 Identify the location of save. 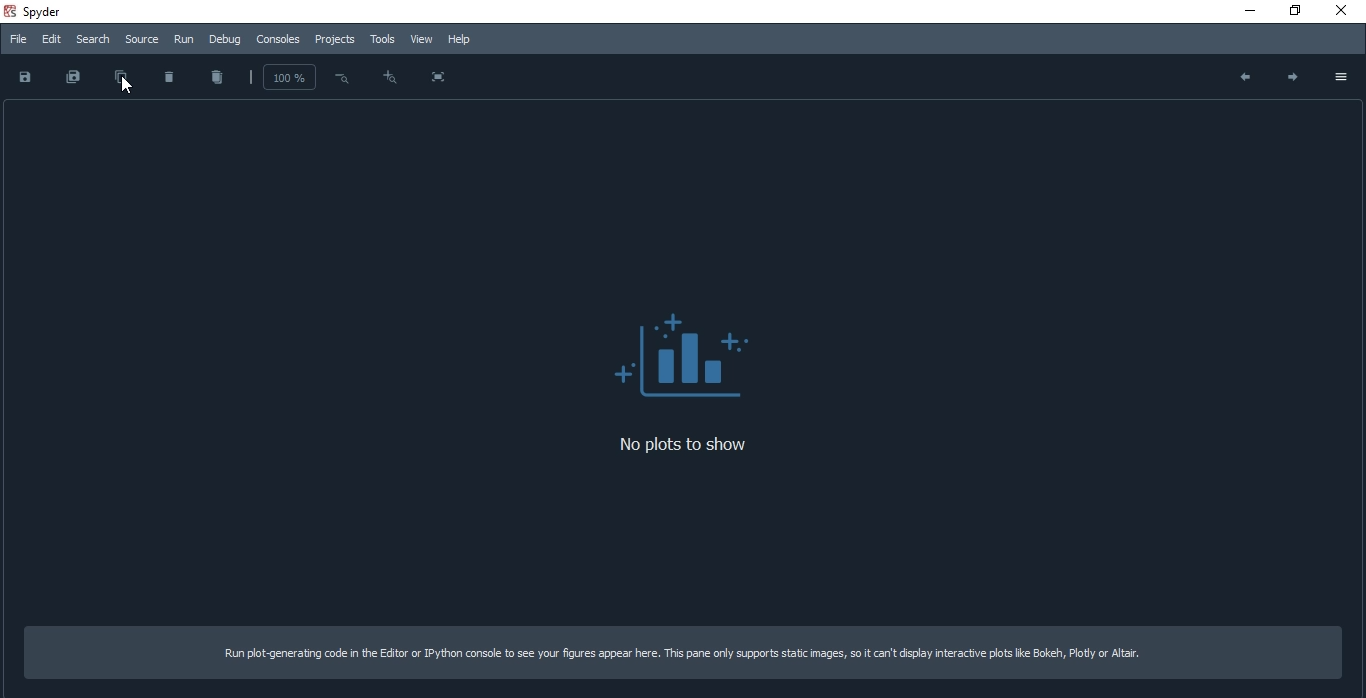
(27, 79).